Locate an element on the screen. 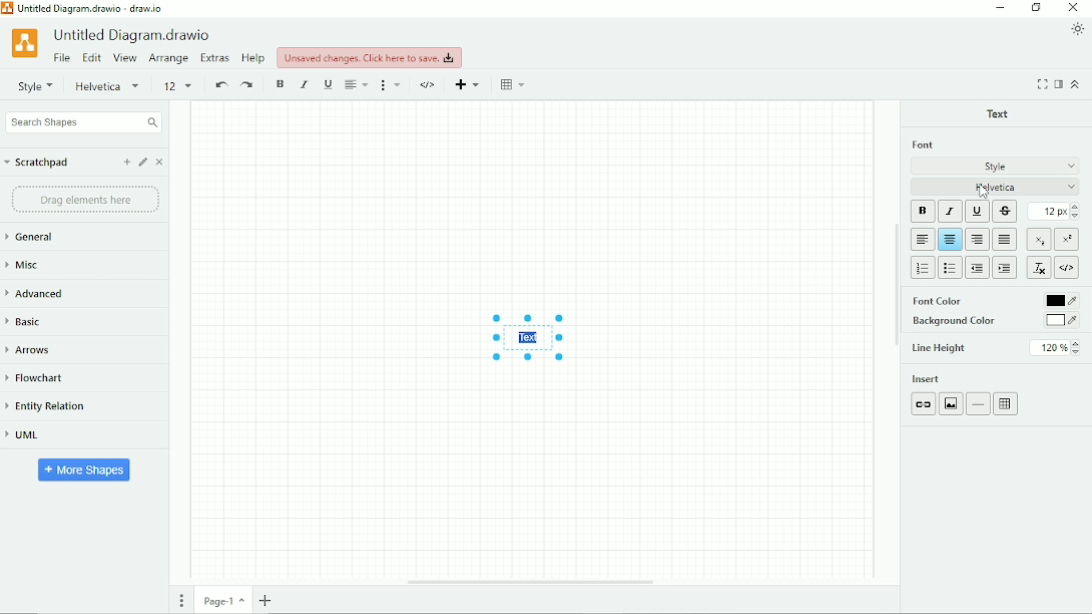 The height and width of the screenshot is (614, 1092). Advanced is located at coordinates (38, 293).